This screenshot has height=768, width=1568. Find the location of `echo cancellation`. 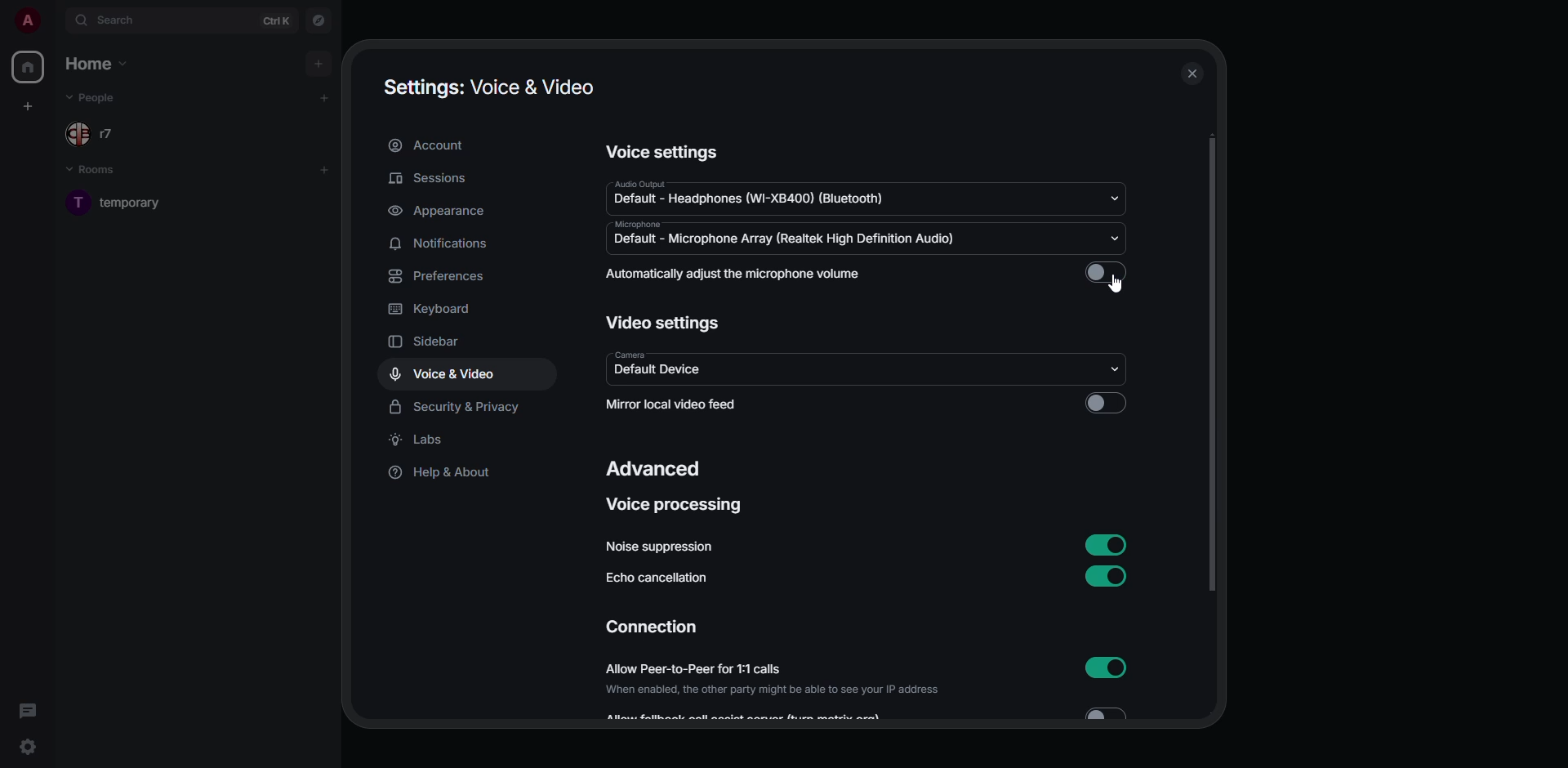

echo cancellation is located at coordinates (658, 578).